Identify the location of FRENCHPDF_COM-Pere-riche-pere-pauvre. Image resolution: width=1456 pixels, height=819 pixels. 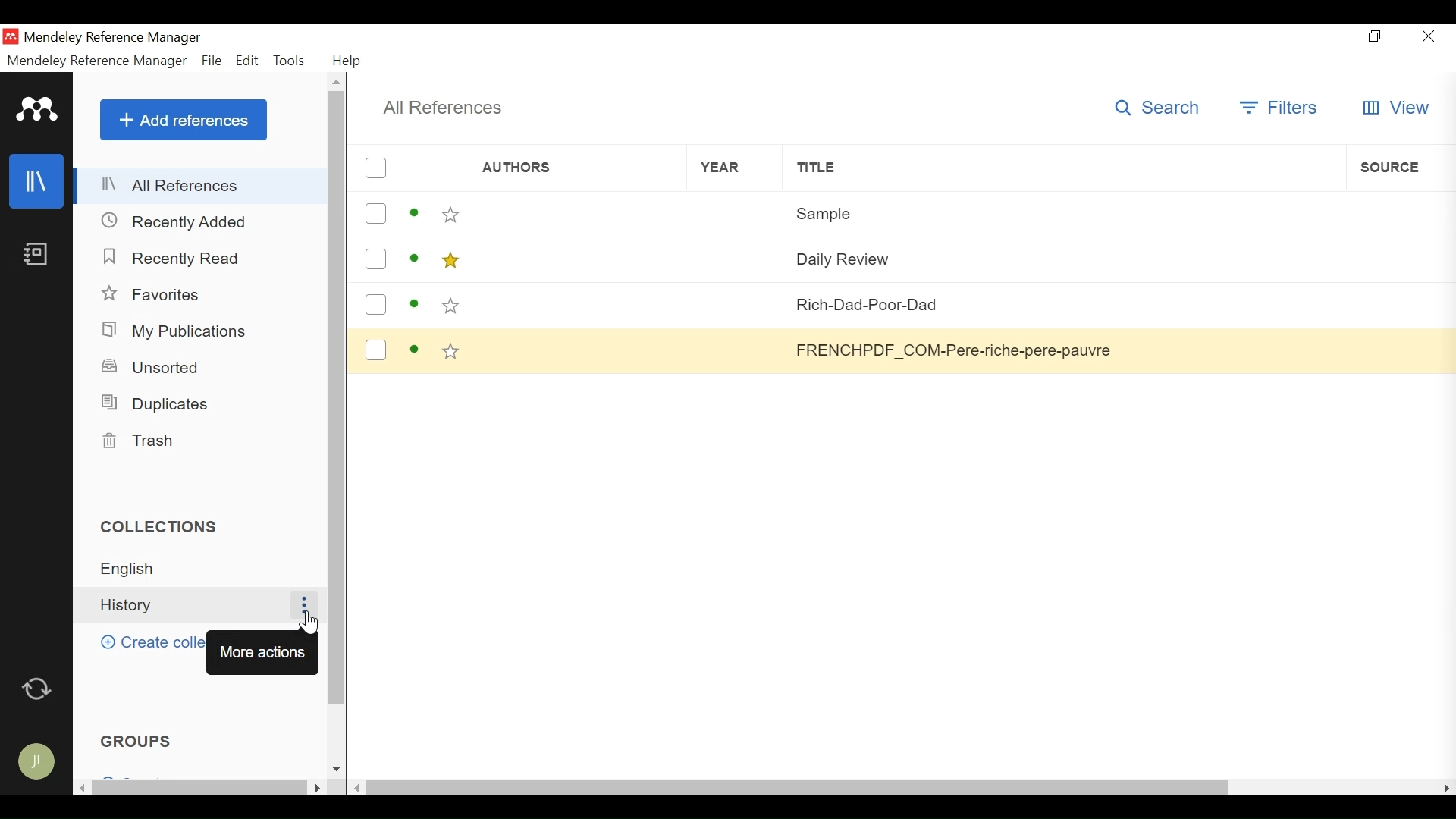
(1062, 350).